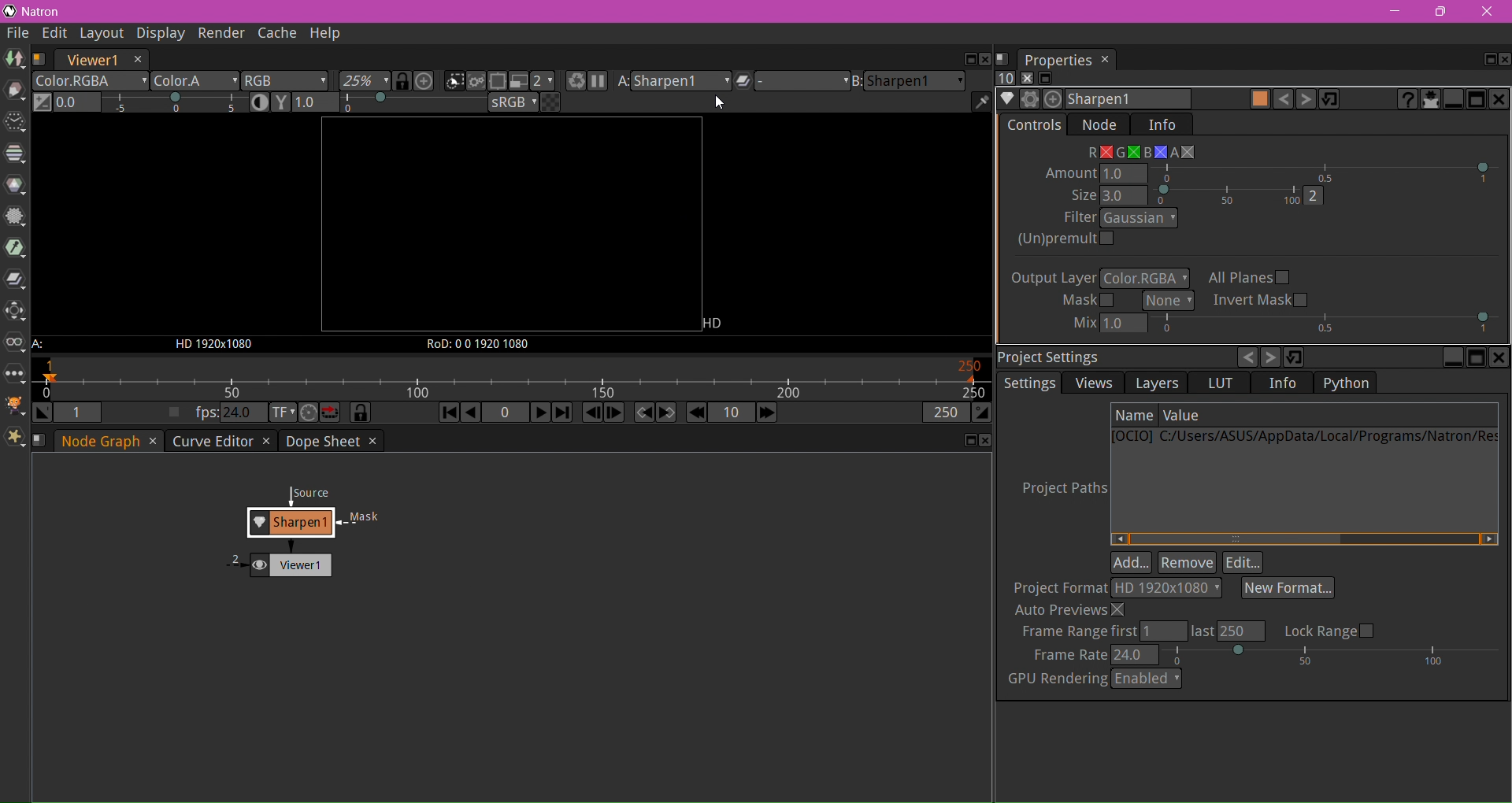  I want to click on Frame Increment, so click(730, 413).